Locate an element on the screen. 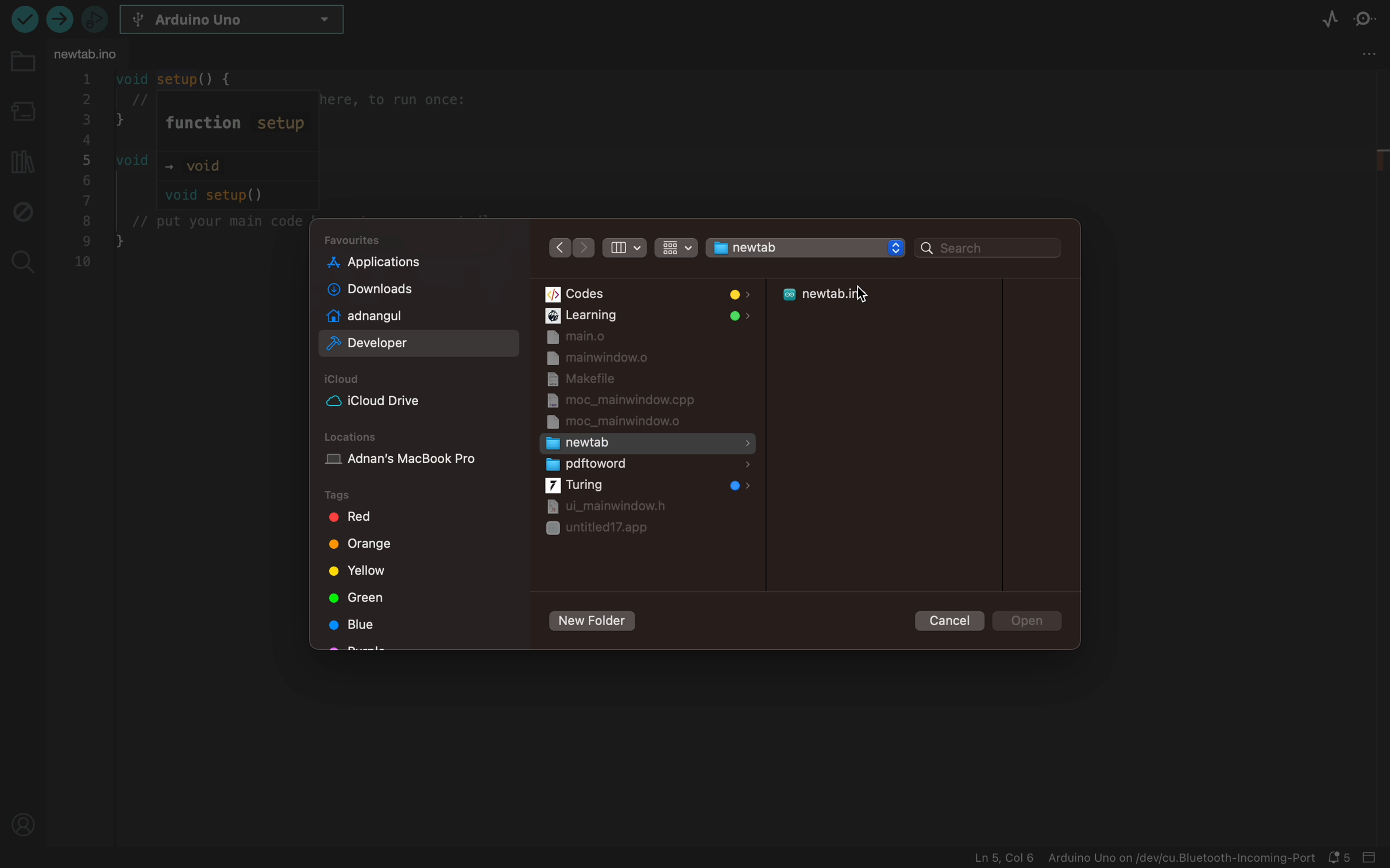 This screenshot has width=1390, height=868. moc window 0 is located at coordinates (621, 423).